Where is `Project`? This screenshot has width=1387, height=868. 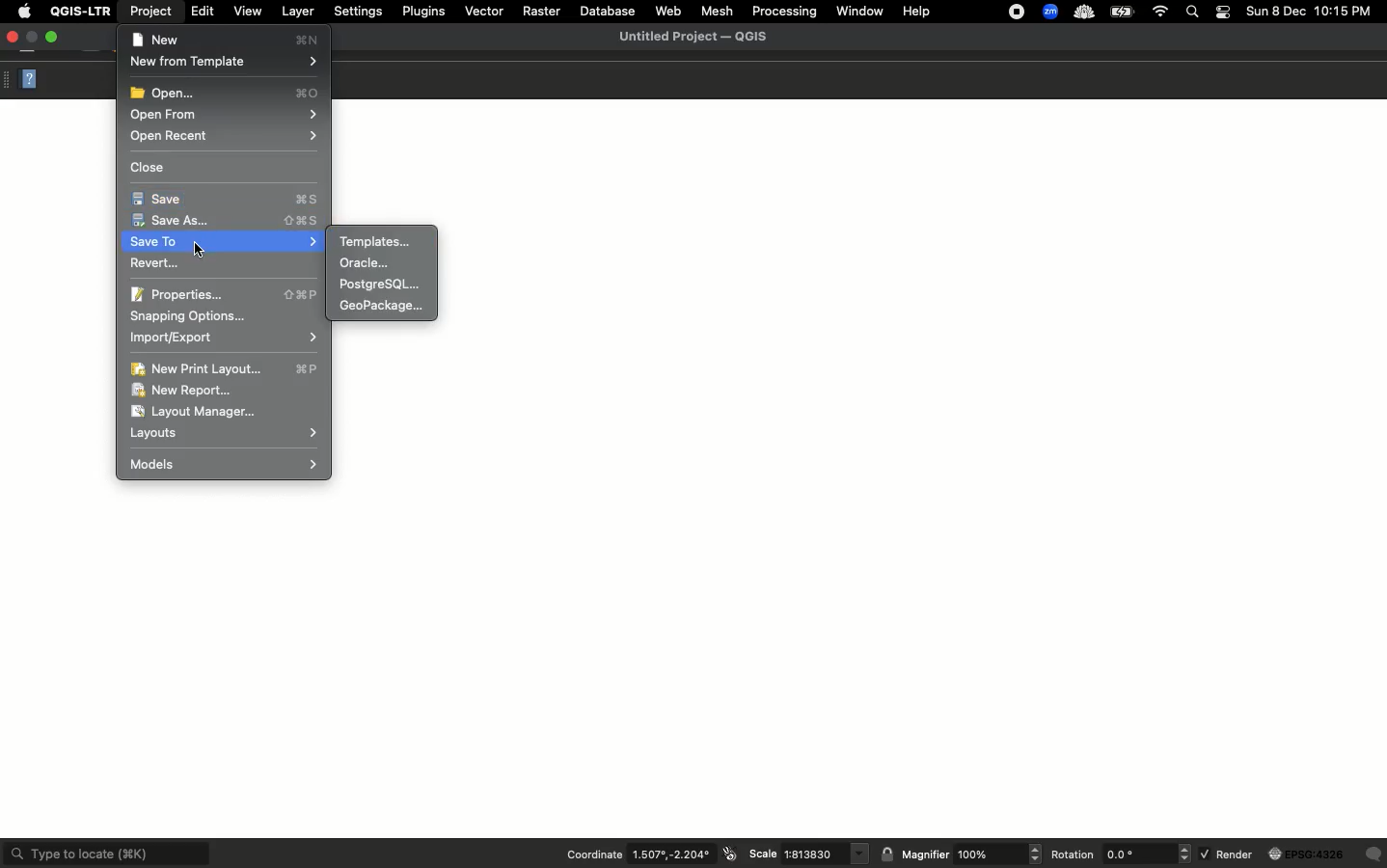
Project is located at coordinates (152, 12).